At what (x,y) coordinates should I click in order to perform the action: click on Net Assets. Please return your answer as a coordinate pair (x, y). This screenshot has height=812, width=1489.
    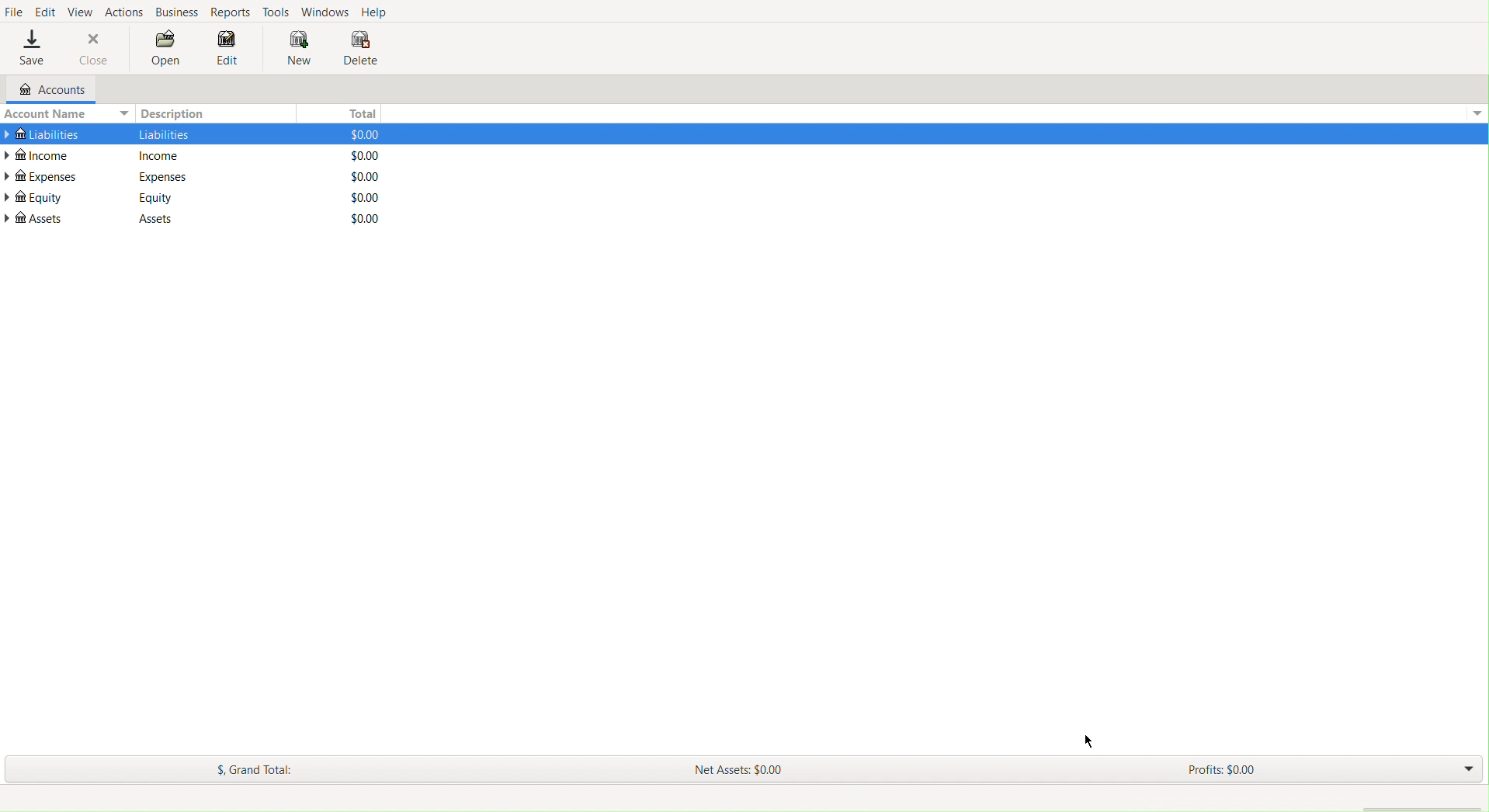
    Looking at the image, I should click on (741, 767).